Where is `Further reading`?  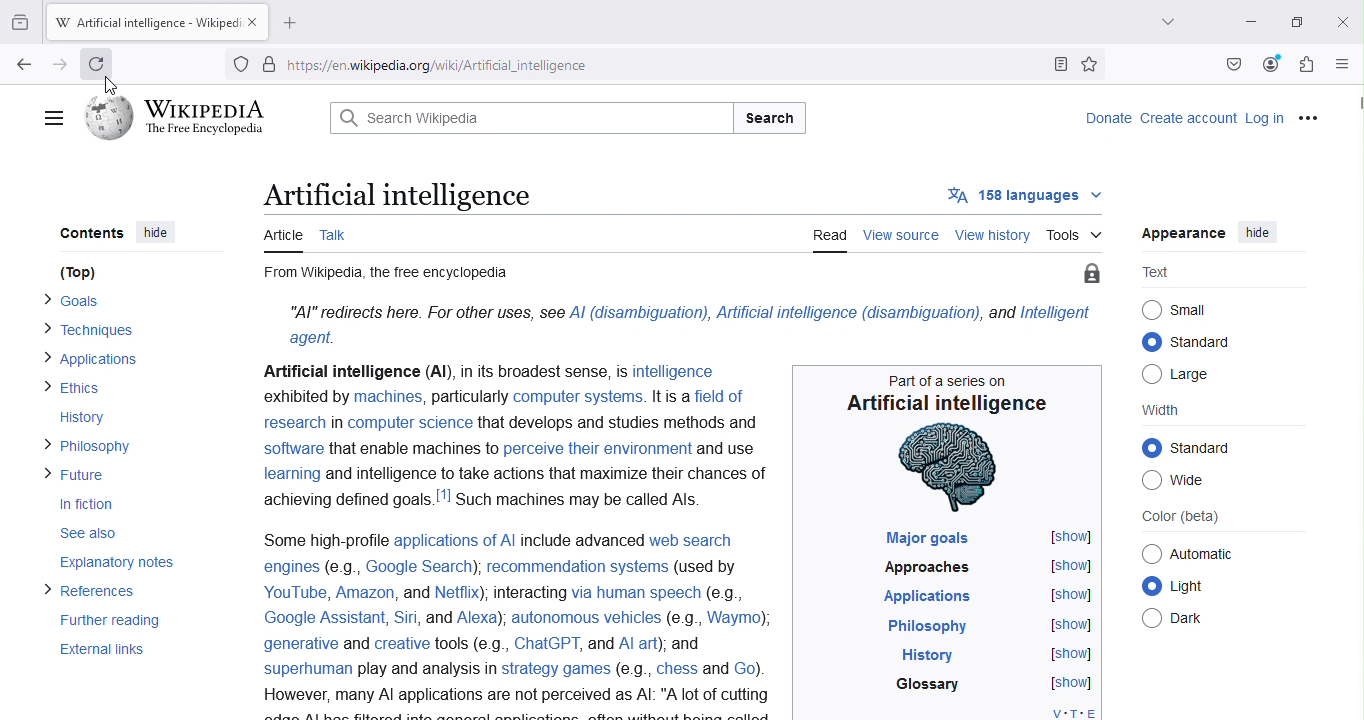 Further reading is located at coordinates (105, 618).